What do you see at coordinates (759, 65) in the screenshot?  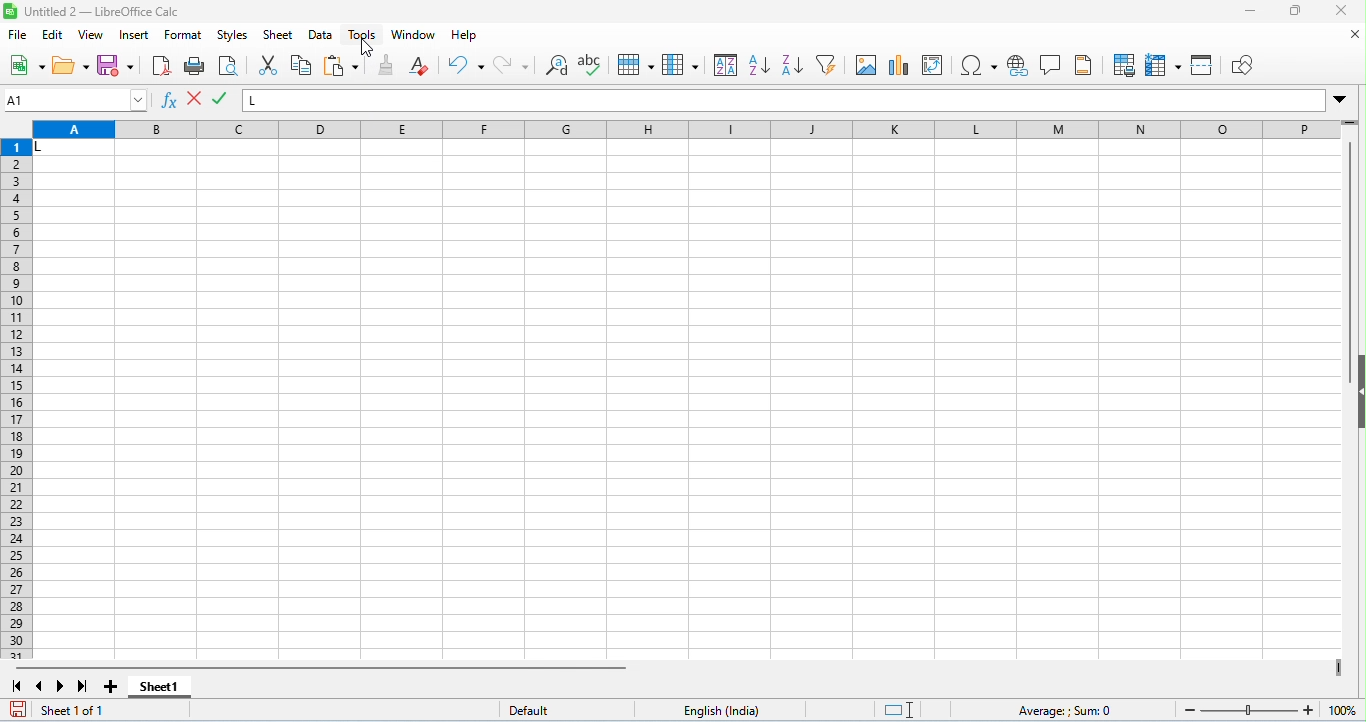 I see `sort ascending` at bounding box center [759, 65].